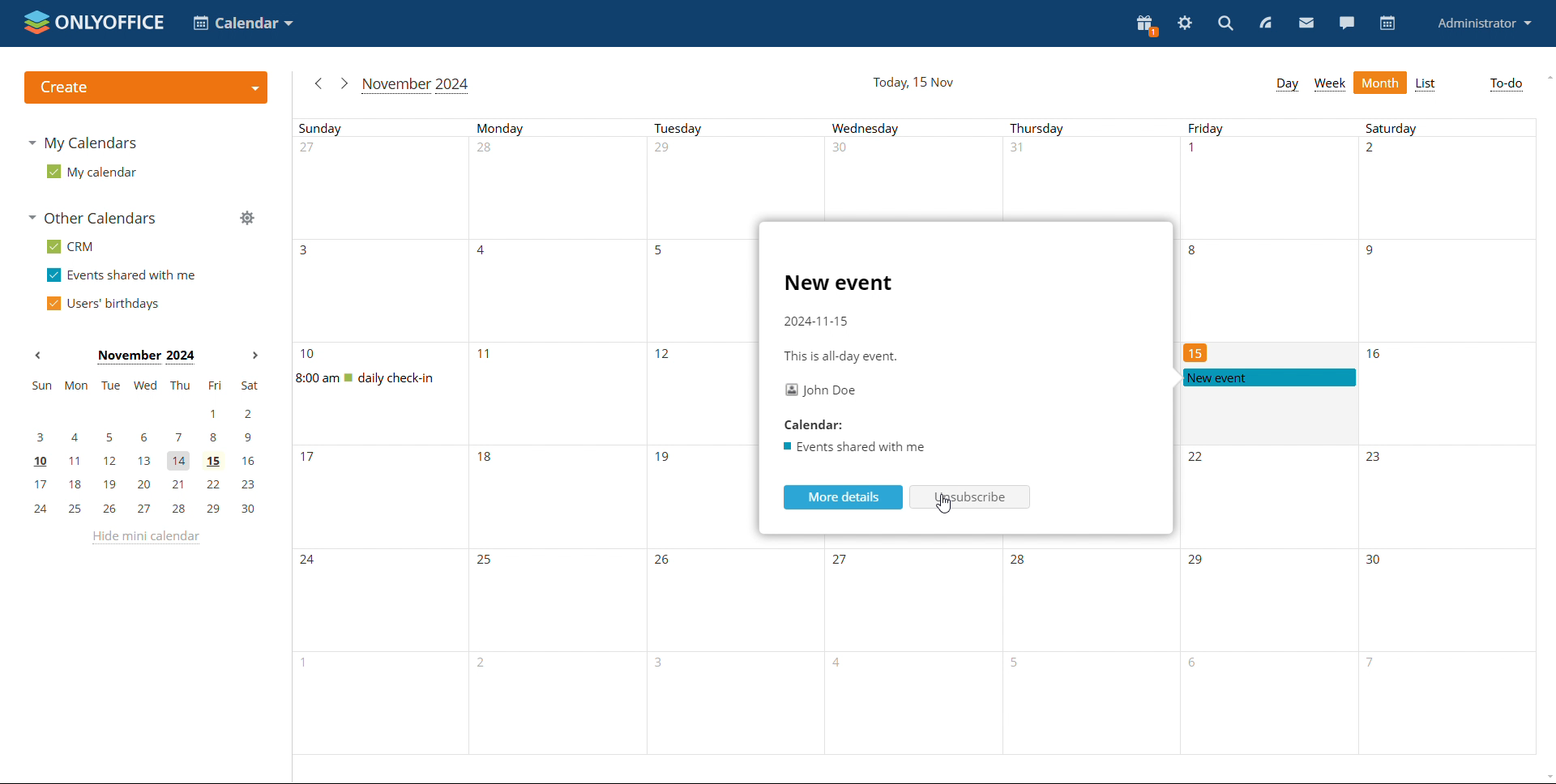  Describe the element at coordinates (92, 23) in the screenshot. I see `logo` at that location.